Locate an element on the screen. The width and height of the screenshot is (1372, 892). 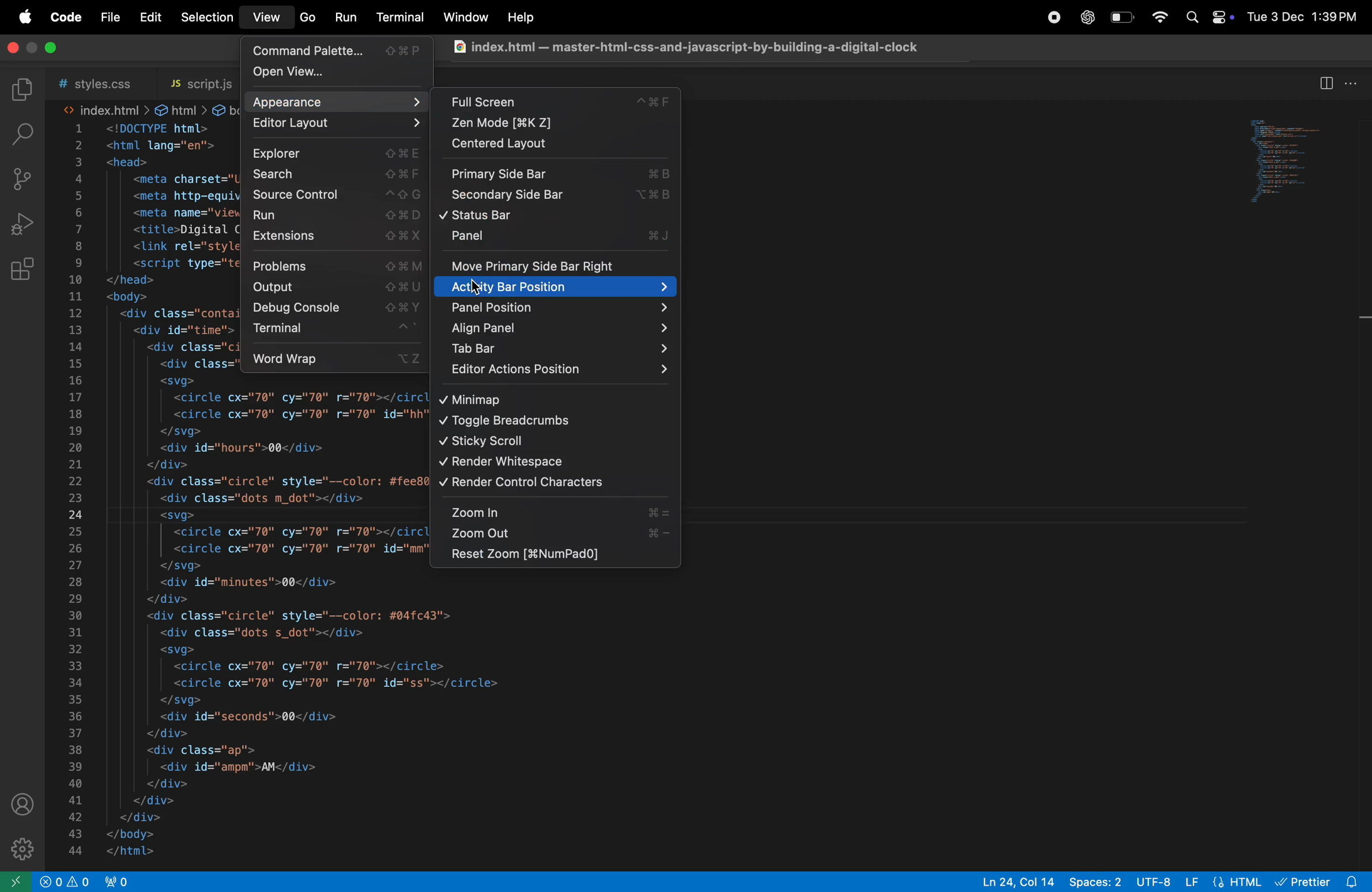
zoom in is located at coordinates (555, 510).